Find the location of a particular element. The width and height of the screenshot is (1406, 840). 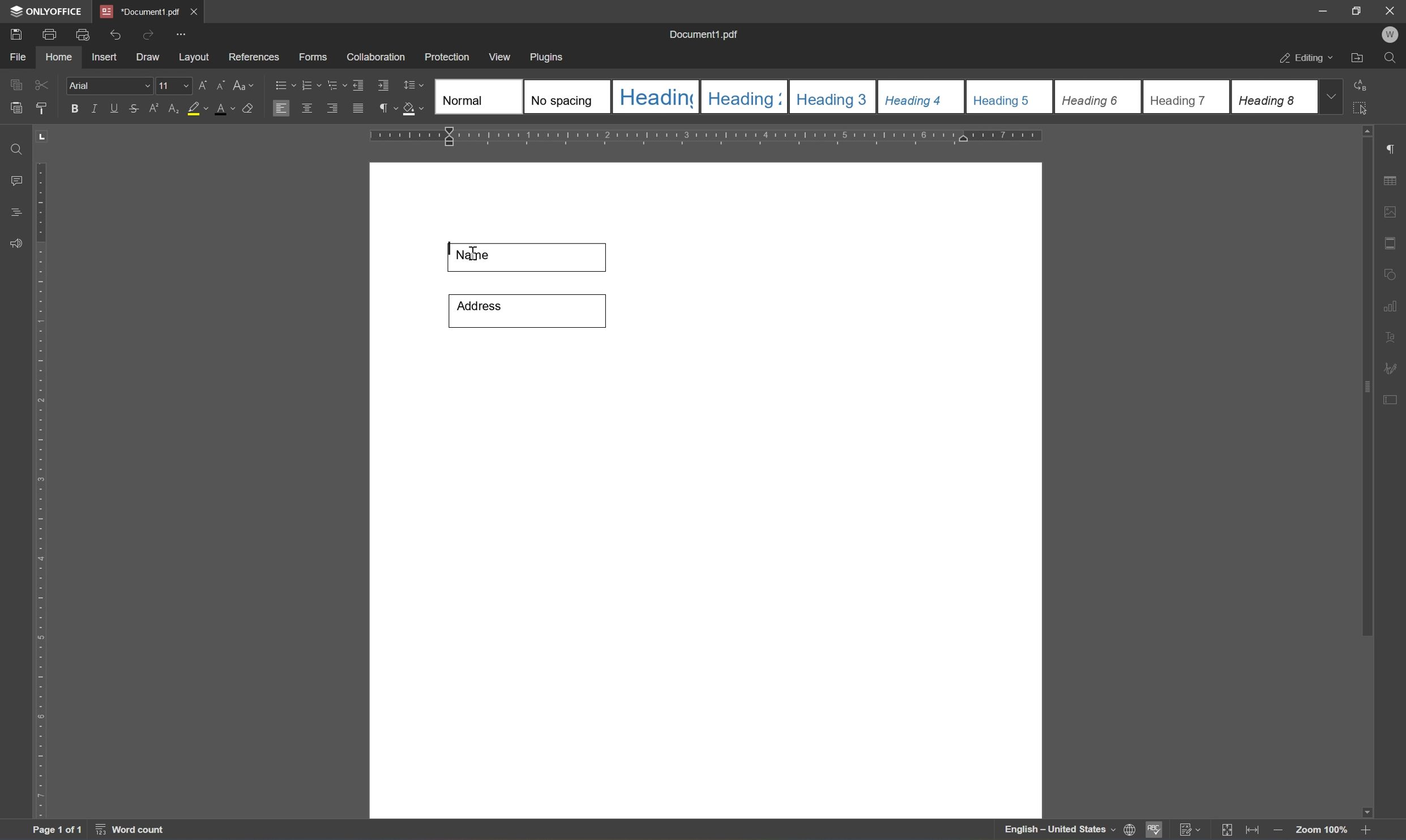

home is located at coordinates (62, 59).